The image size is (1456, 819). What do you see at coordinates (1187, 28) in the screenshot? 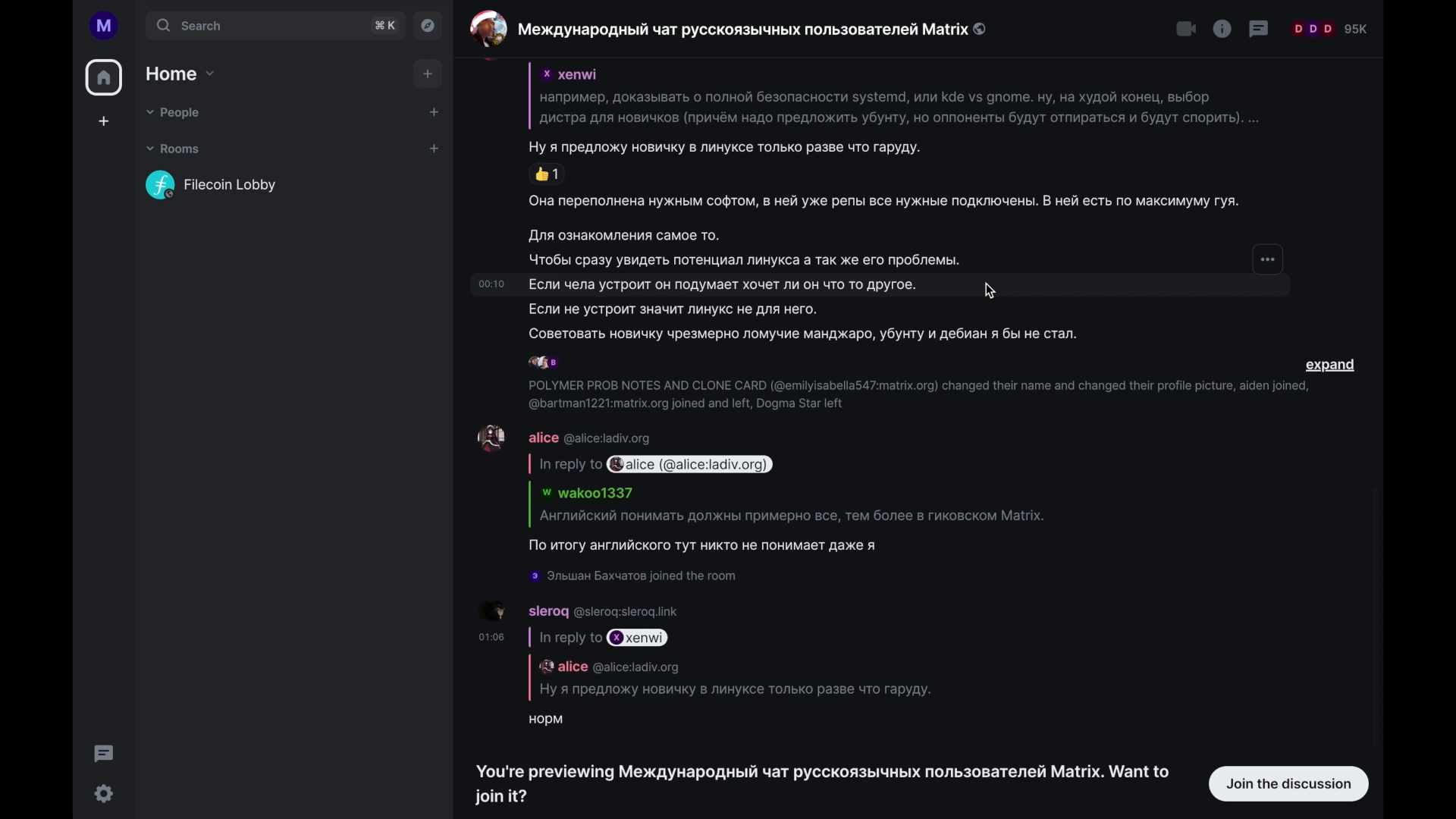
I see `video calls` at bounding box center [1187, 28].